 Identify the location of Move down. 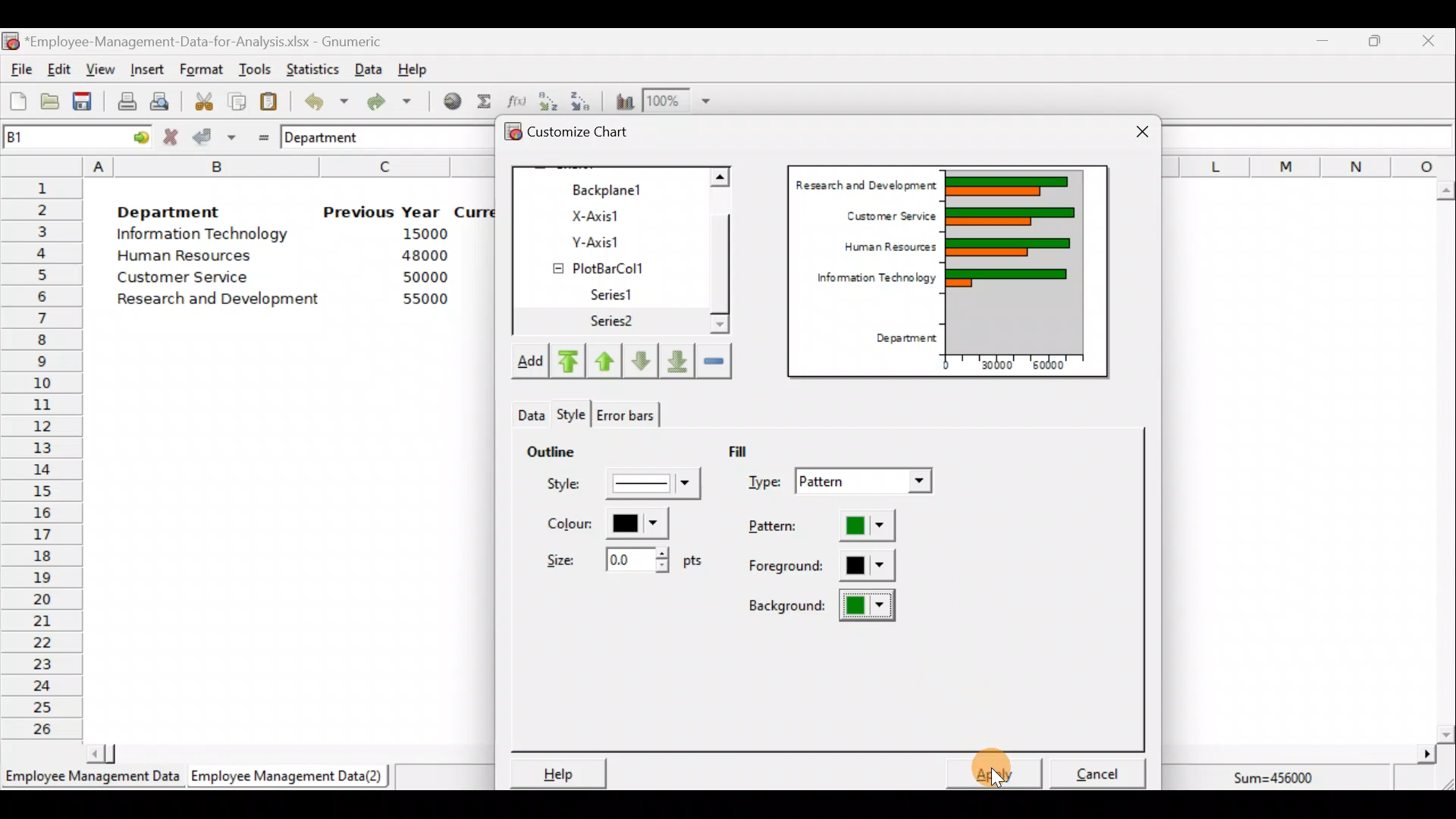
(640, 361).